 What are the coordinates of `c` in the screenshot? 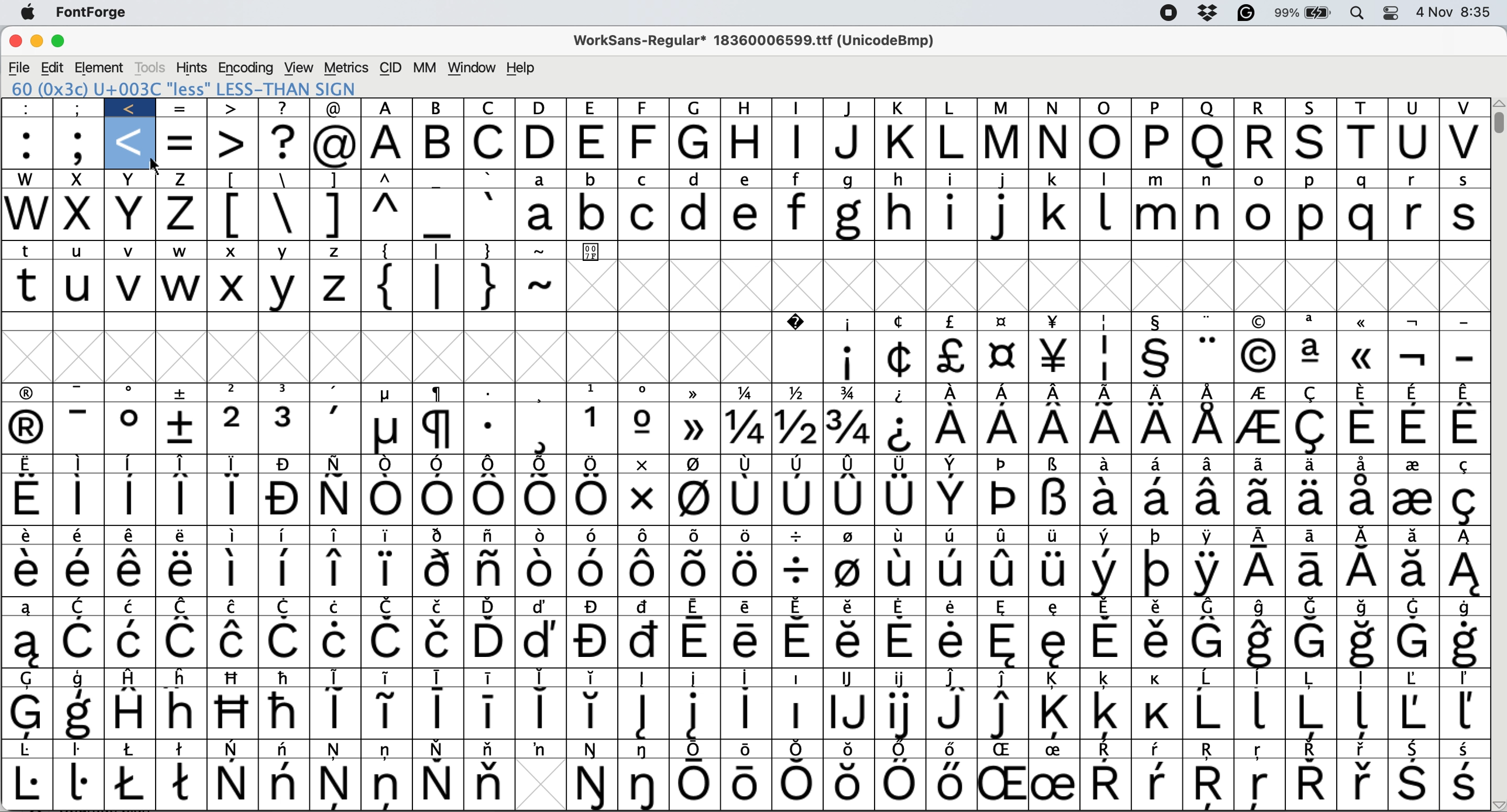 It's located at (640, 180).